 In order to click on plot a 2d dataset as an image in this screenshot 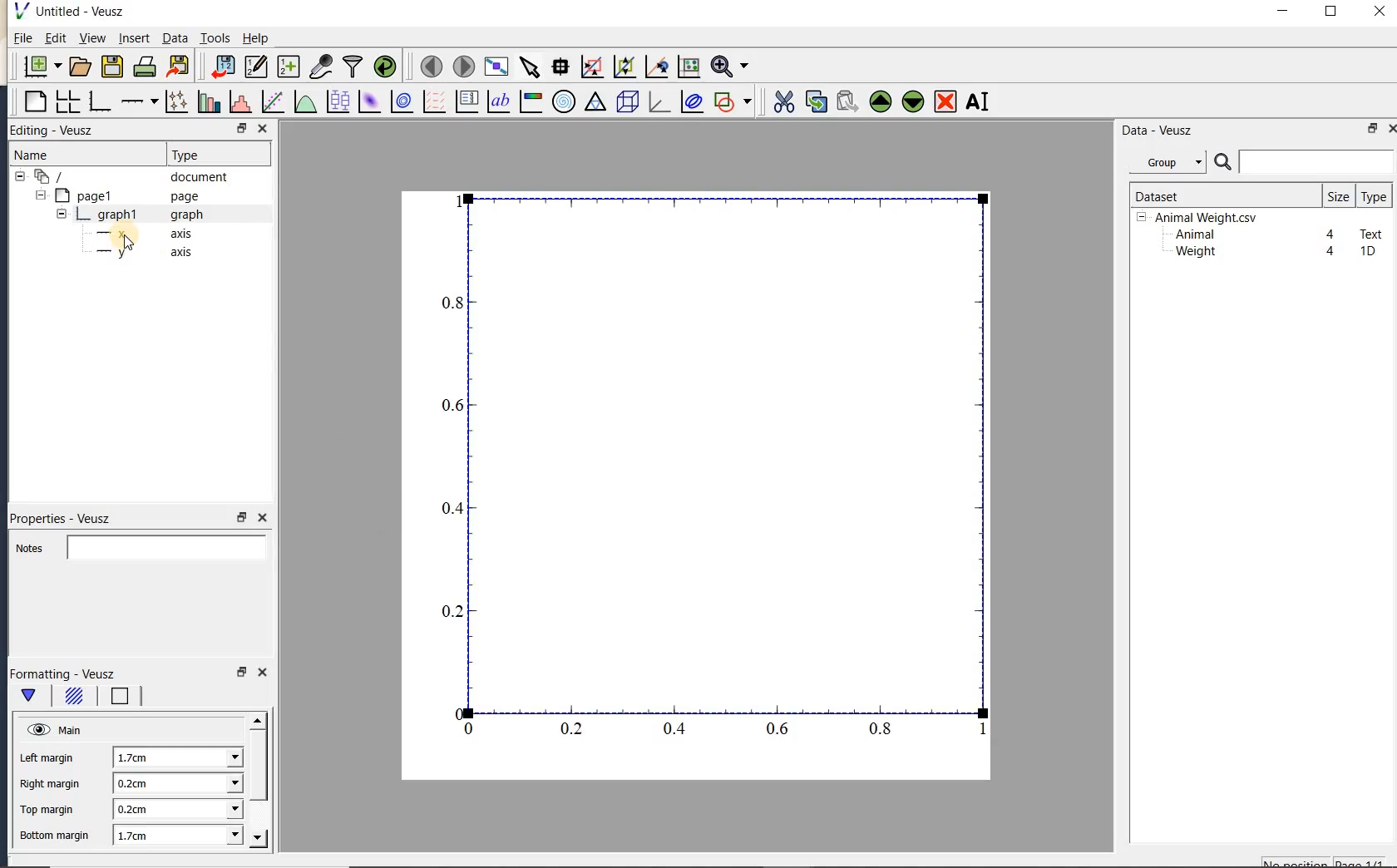, I will do `click(368, 101)`.